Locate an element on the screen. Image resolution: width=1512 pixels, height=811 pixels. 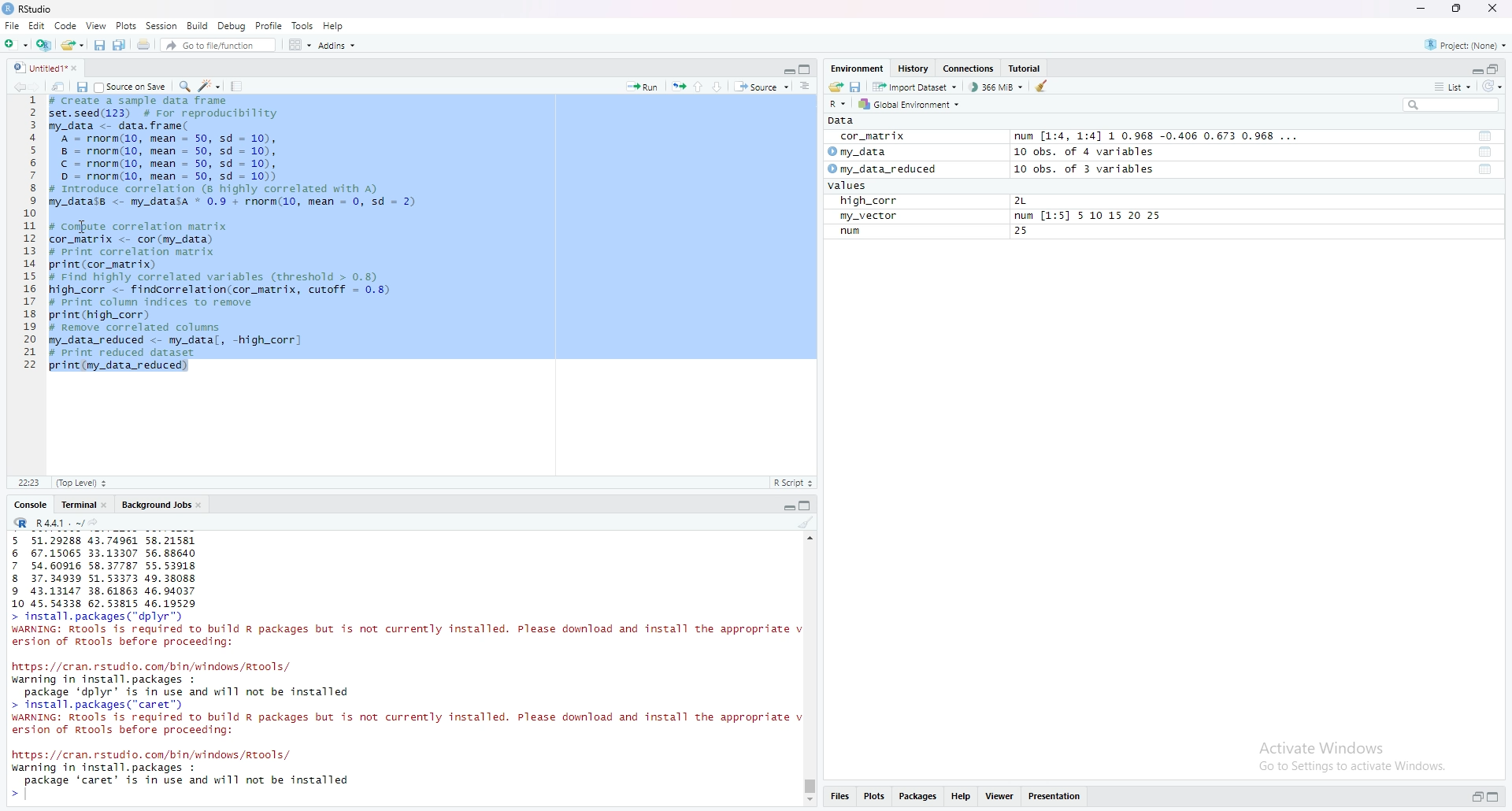
Packages is located at coordinates (917, 797).